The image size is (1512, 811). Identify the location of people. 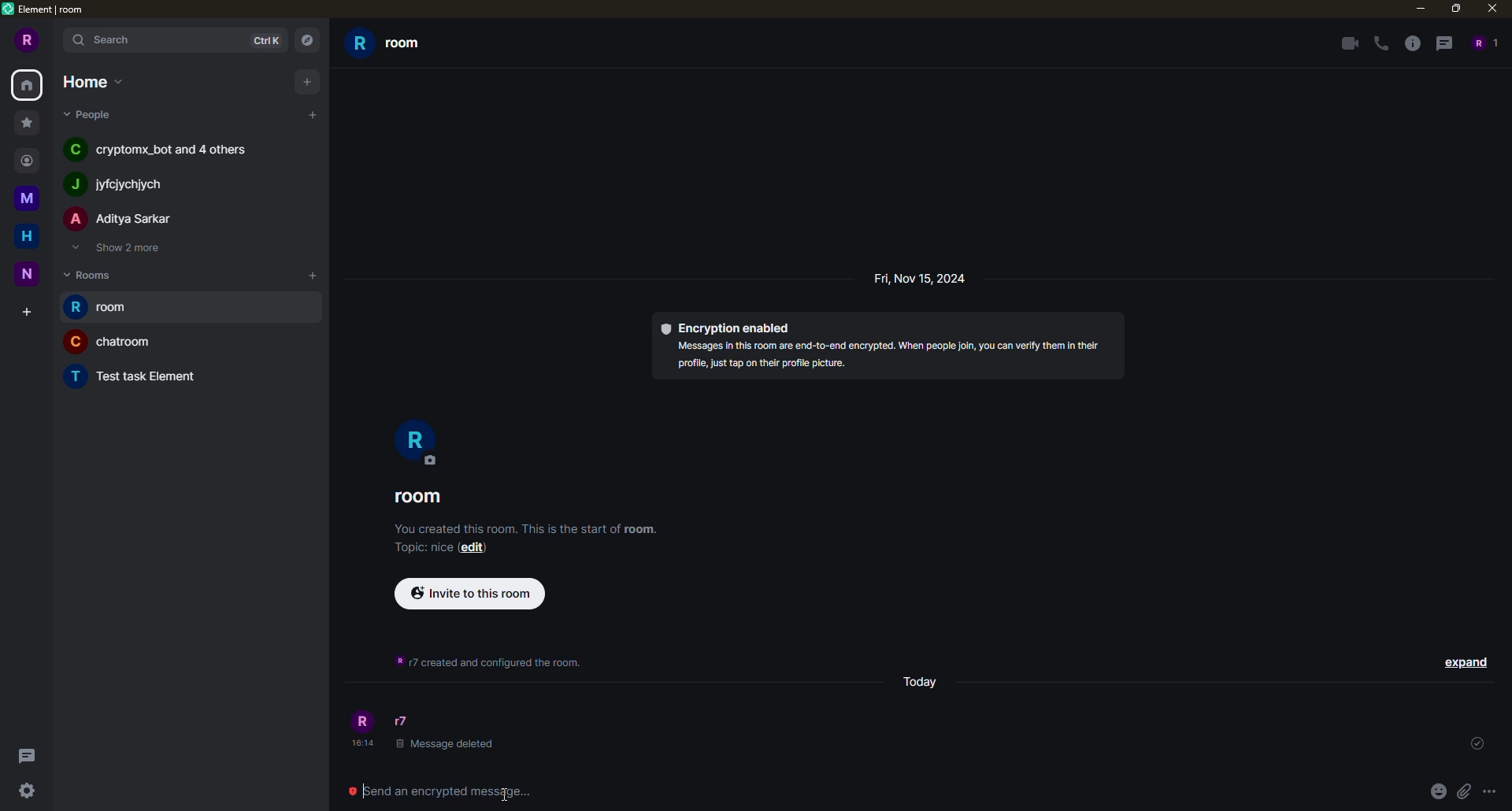
(121, 218).